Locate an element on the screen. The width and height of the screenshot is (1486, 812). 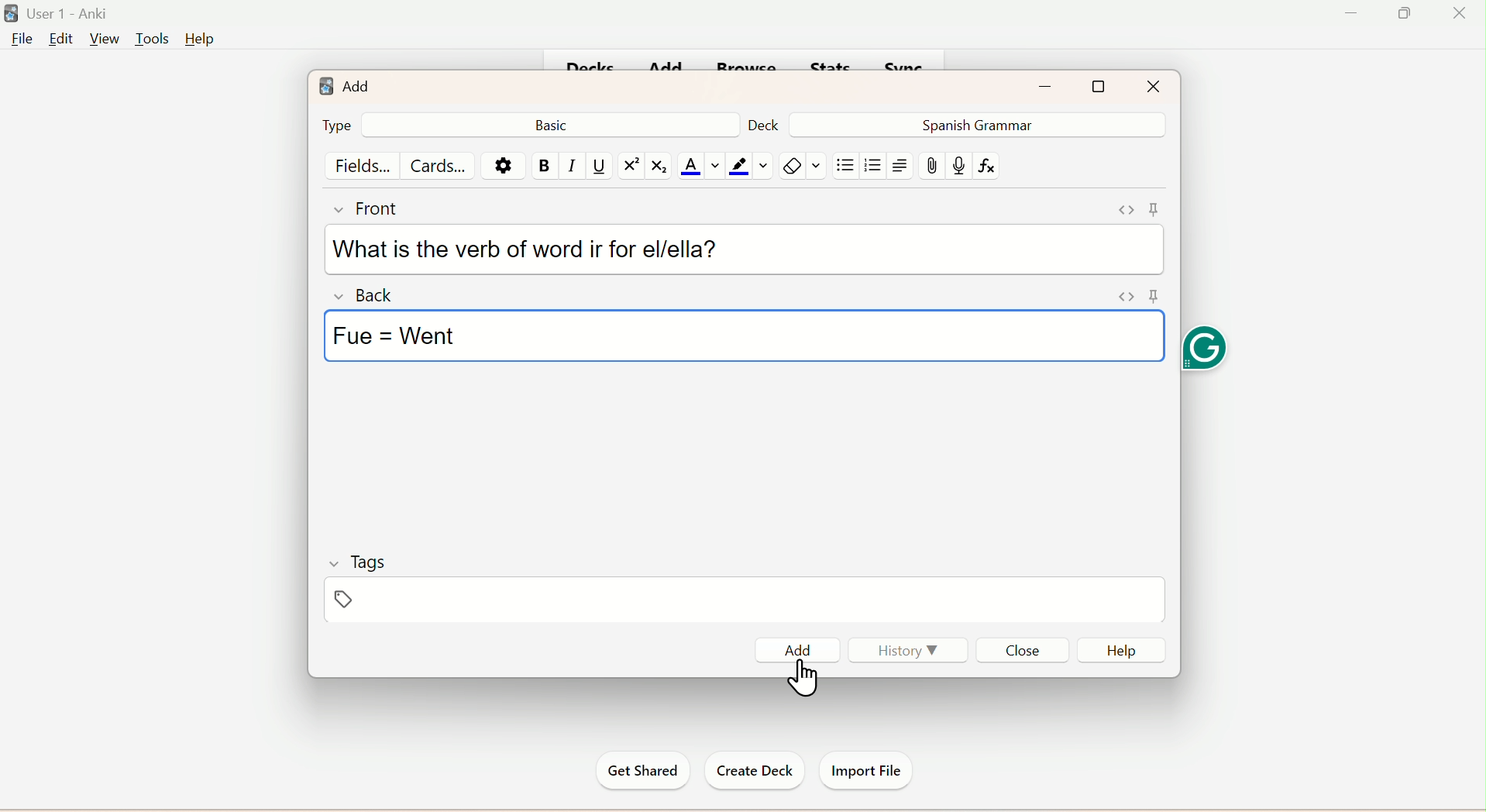
Fue = Went is located at coordinates (390, 341).